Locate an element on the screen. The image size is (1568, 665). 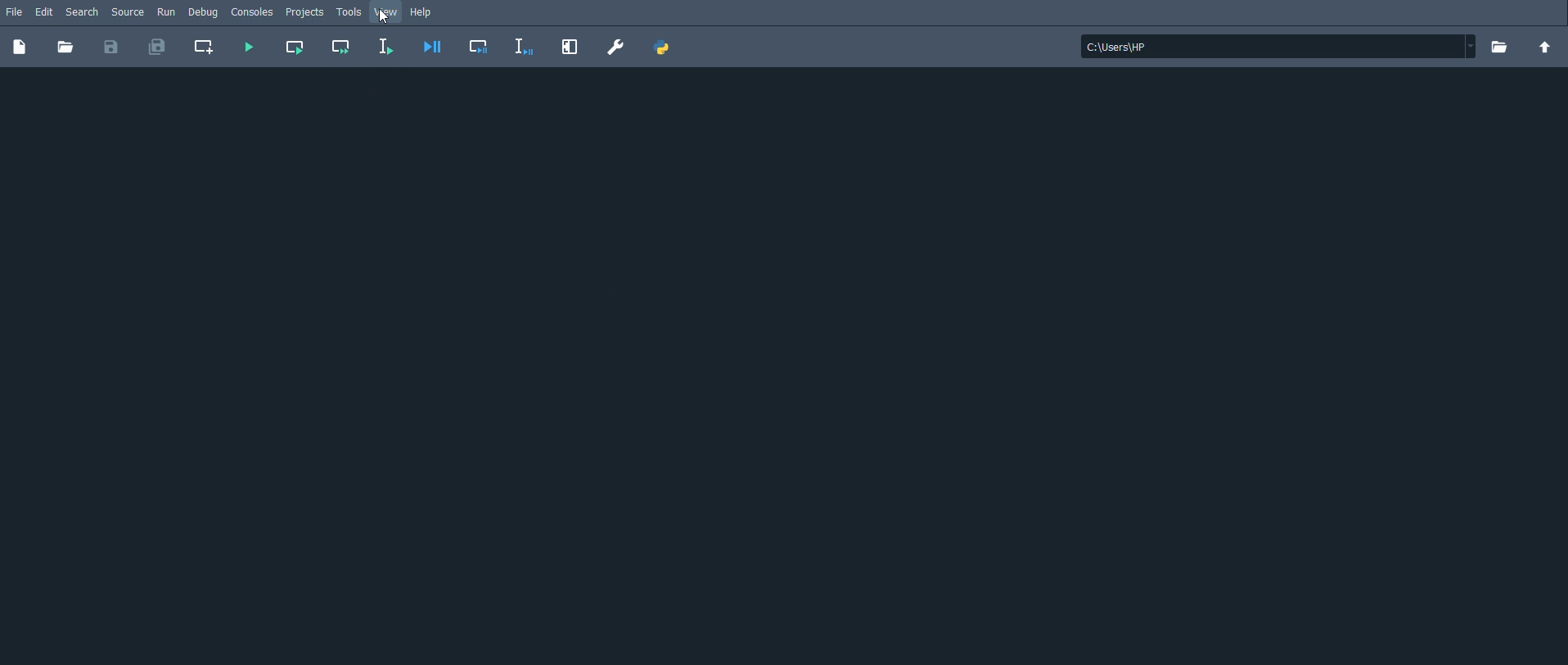
Run file is located at coordinates (246, 47).